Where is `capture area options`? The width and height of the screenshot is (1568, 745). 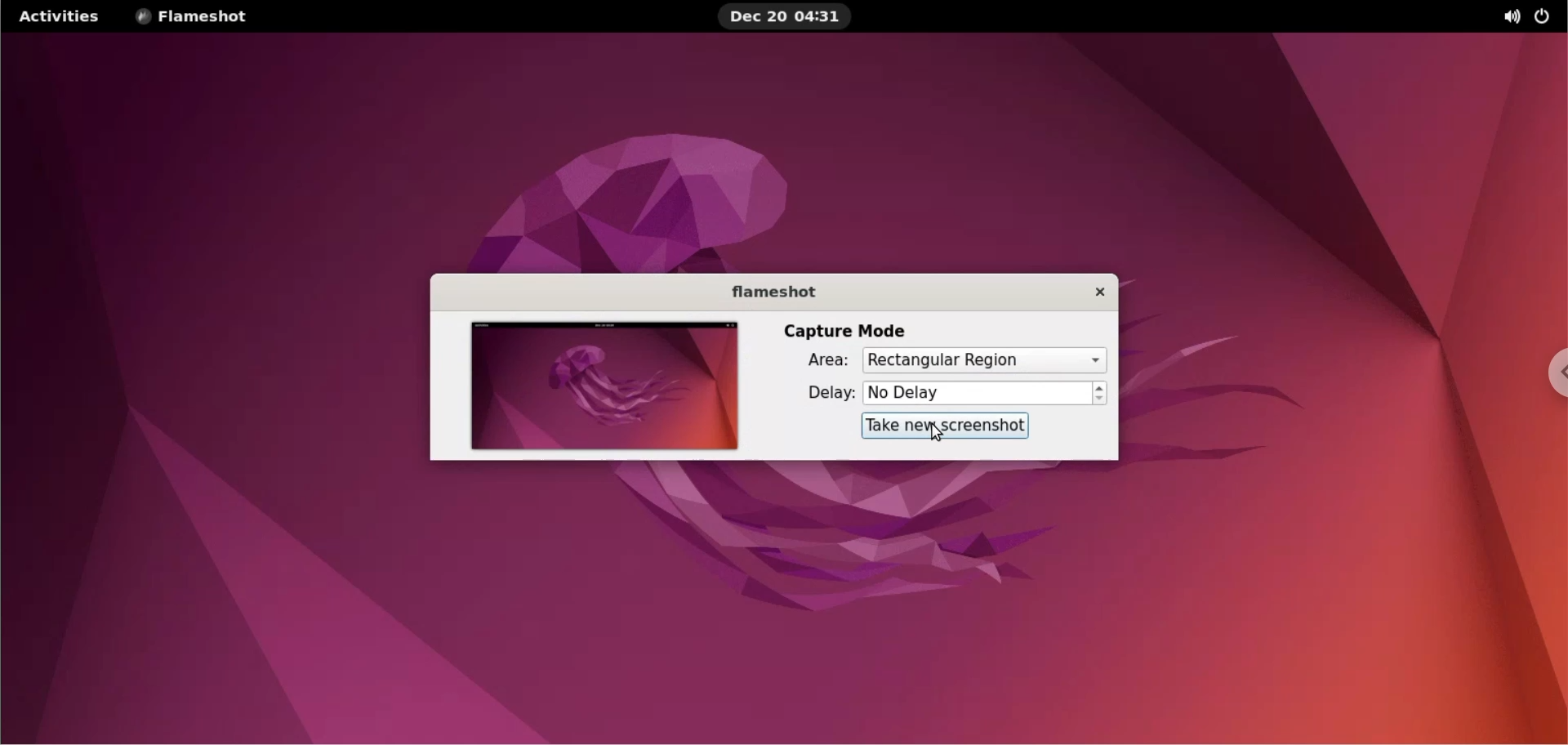
capture area options is located at coordinates (983, 361).